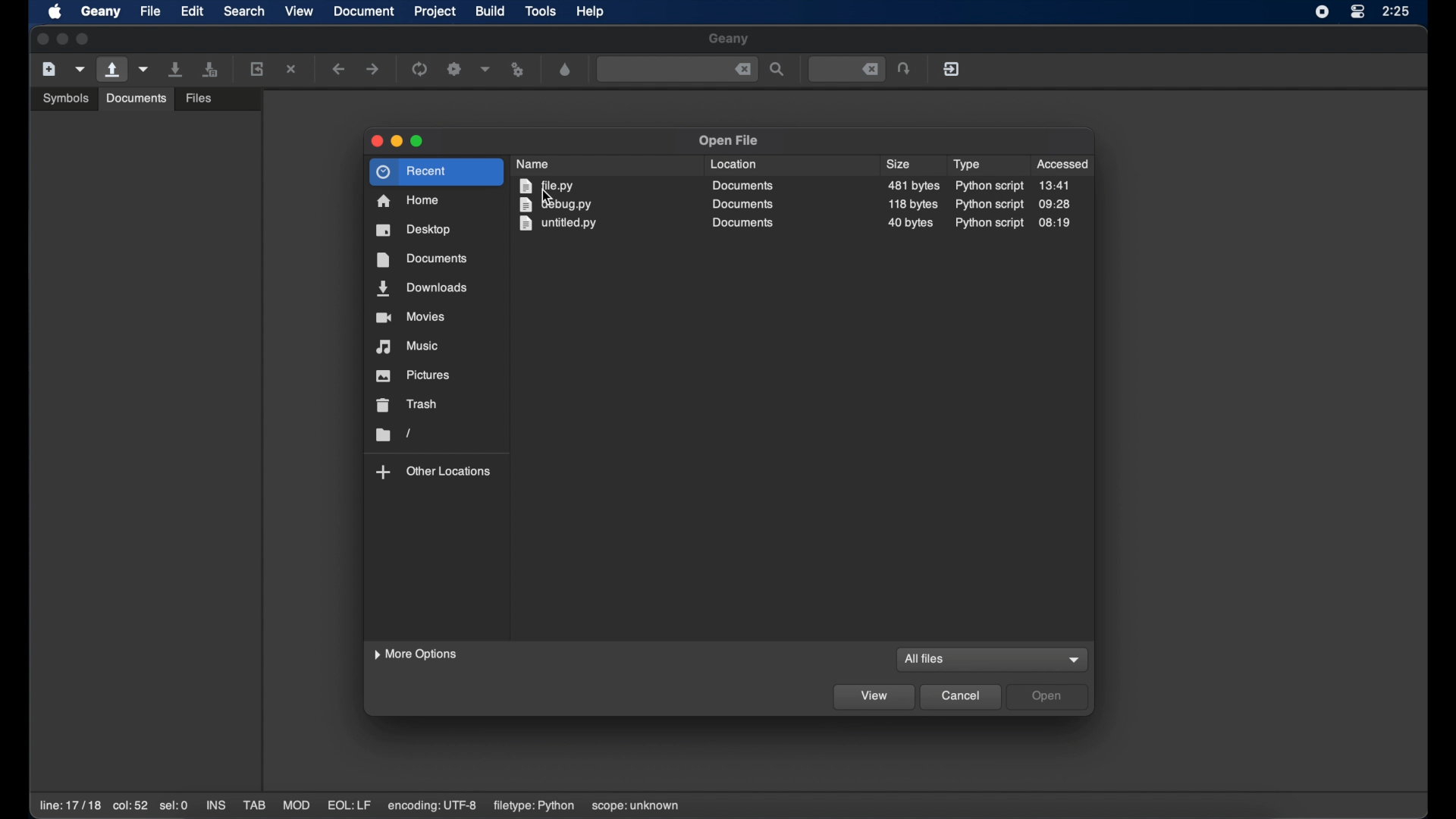  Describe the element at coordinates (415, 654) in the screenshot. I see `more options` at that location.